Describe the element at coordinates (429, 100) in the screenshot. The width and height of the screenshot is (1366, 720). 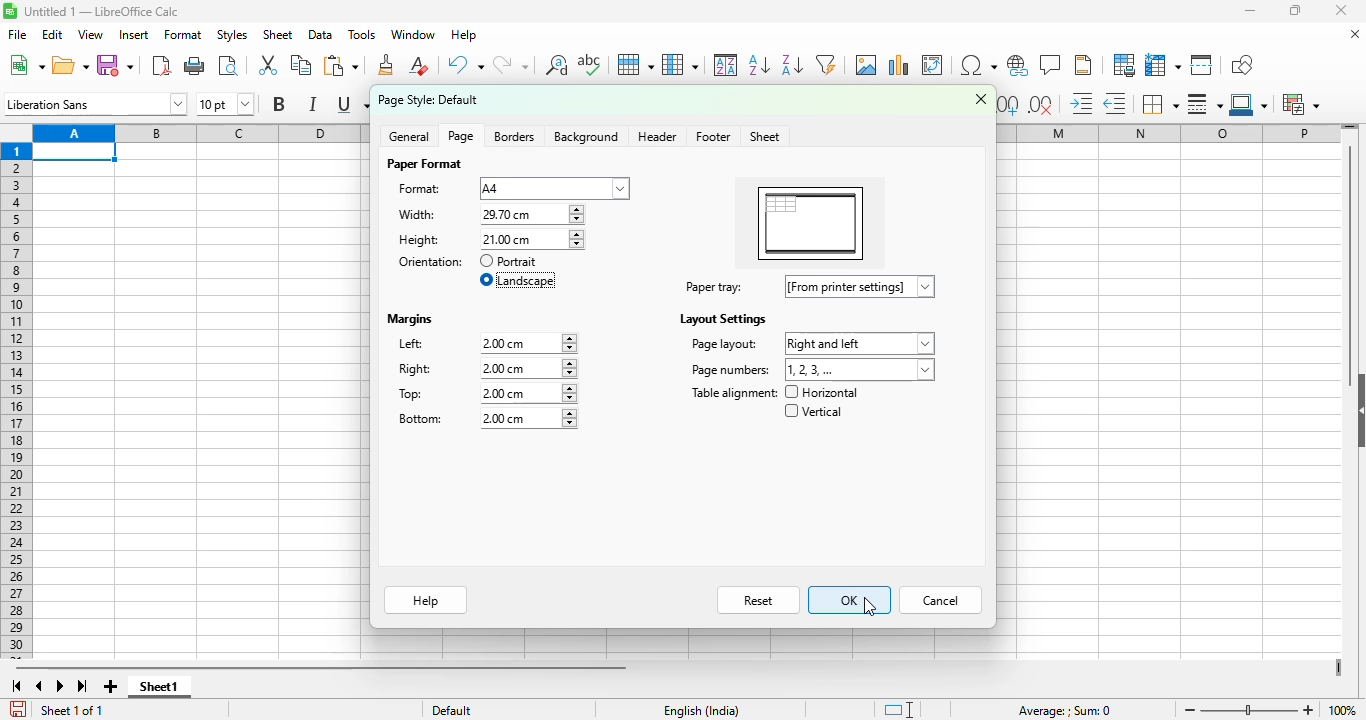
I see `page style default` at that location.